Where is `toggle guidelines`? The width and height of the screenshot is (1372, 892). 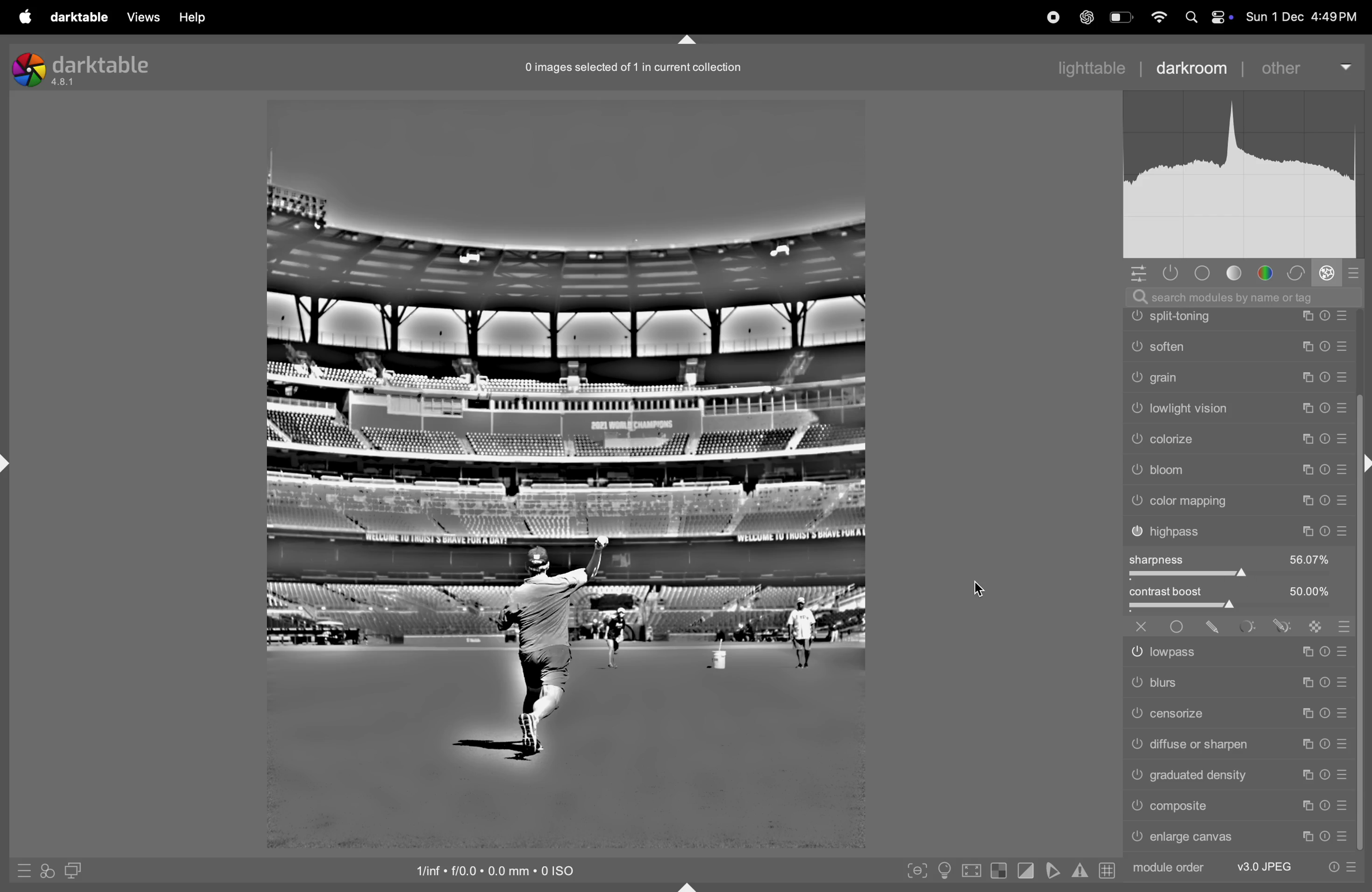 toggle guidelines is located at coordinates (1107, 870).